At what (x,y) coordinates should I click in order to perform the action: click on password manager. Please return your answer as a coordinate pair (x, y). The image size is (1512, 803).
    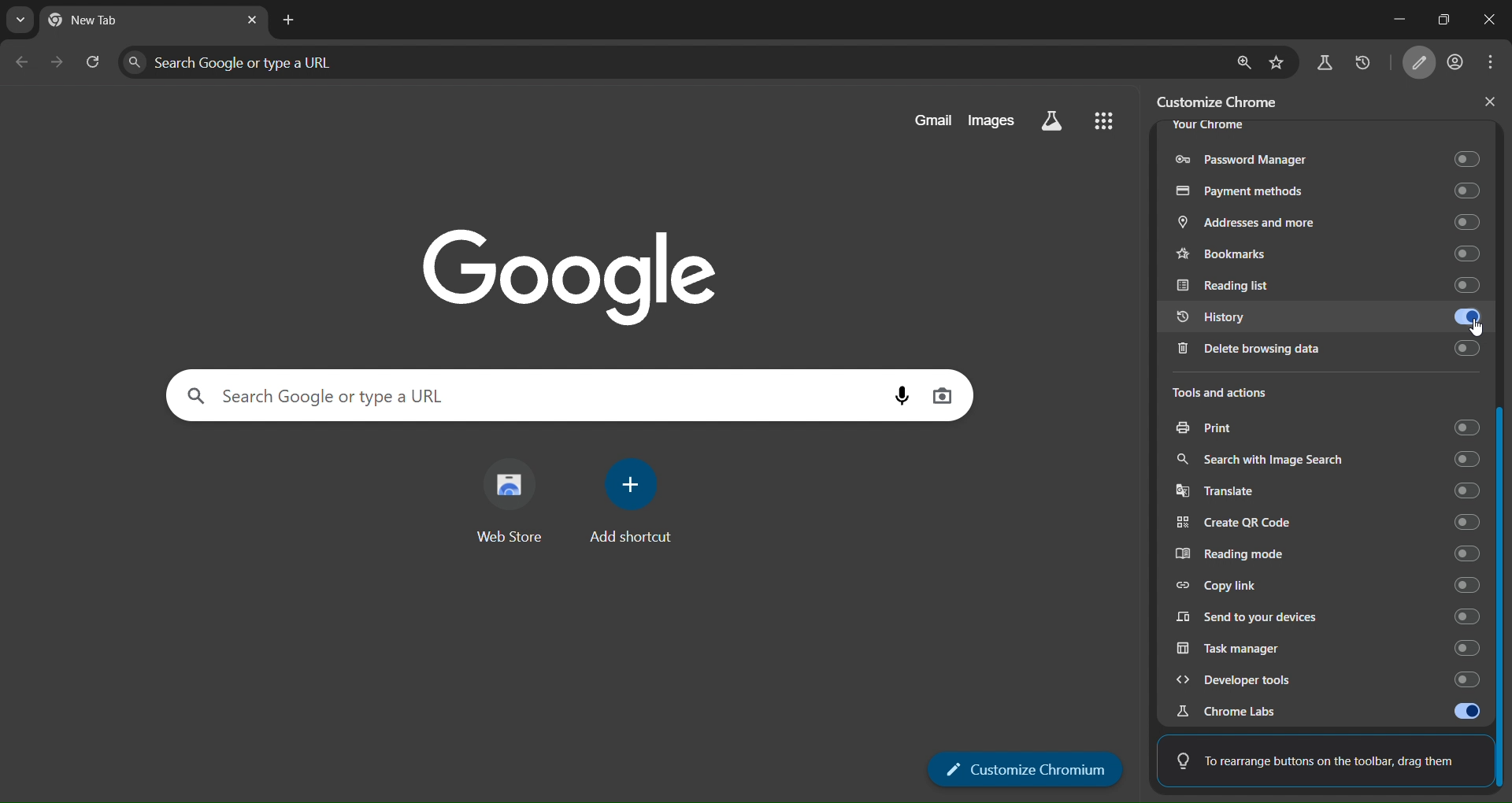
    Looking at the image, I should click on (1325, 156).